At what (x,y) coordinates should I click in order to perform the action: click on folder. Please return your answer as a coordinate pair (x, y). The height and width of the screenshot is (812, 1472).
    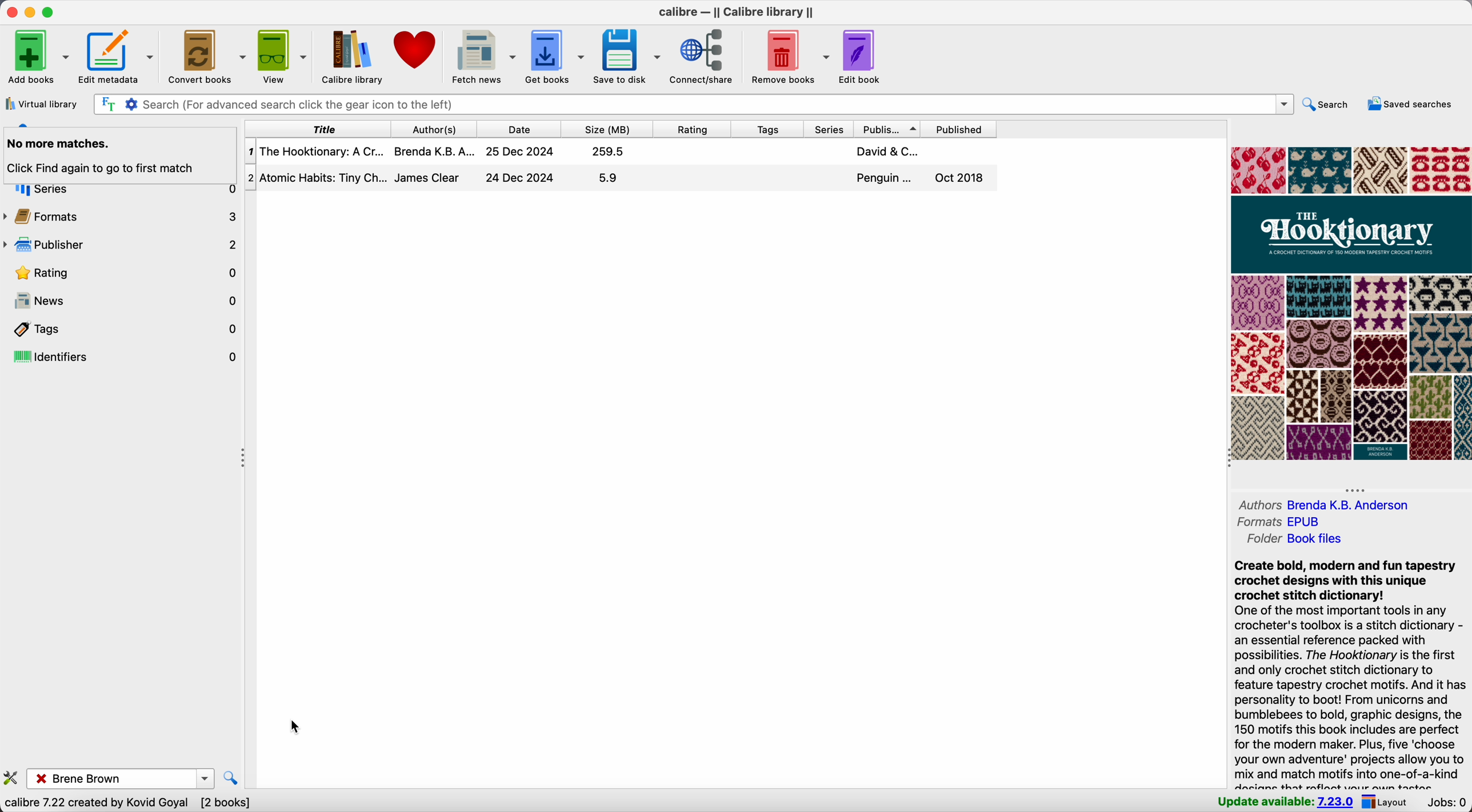
    Looking at the image, I should click on (1295, 539).